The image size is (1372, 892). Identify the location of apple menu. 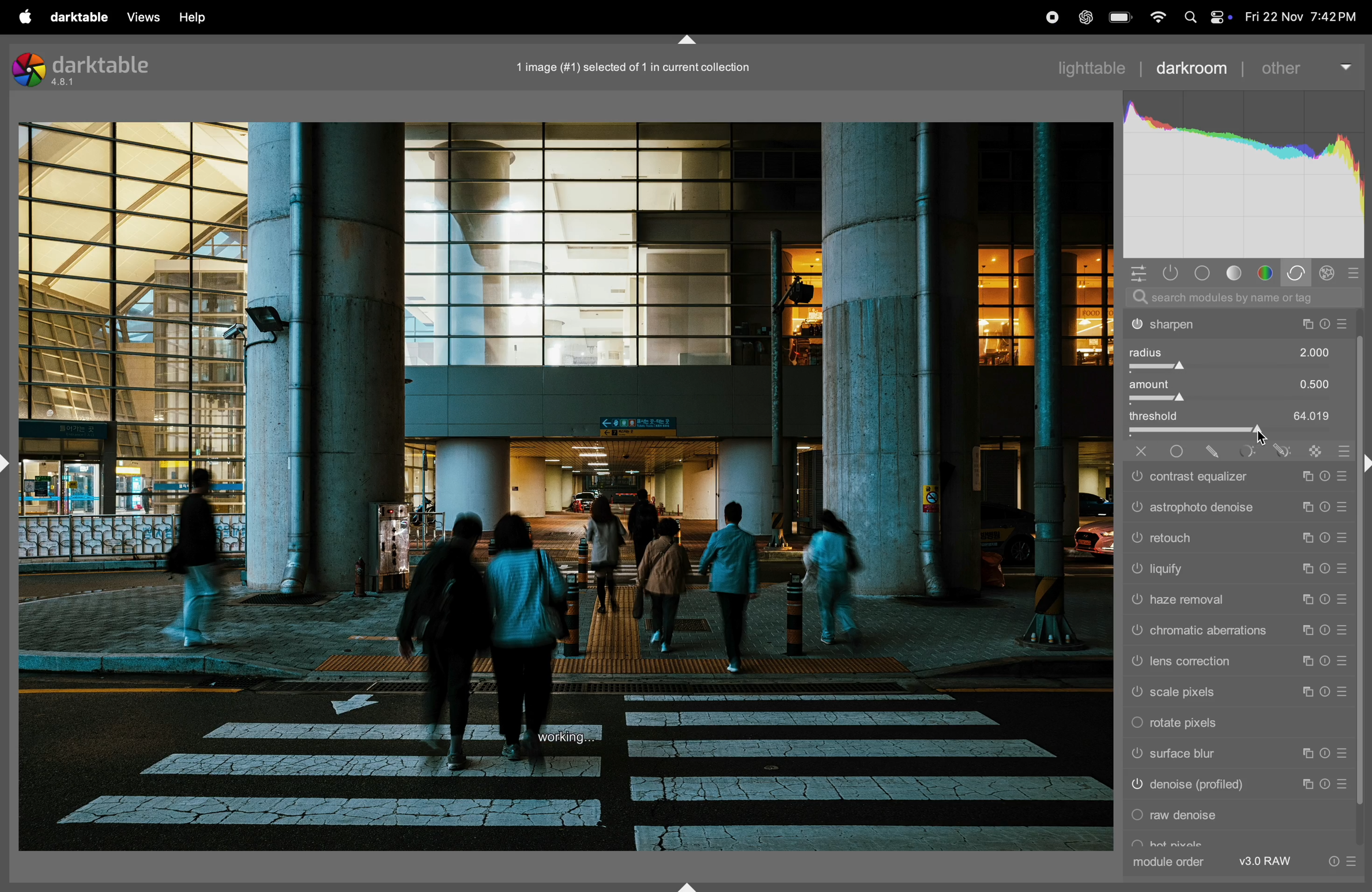
(24, 17).